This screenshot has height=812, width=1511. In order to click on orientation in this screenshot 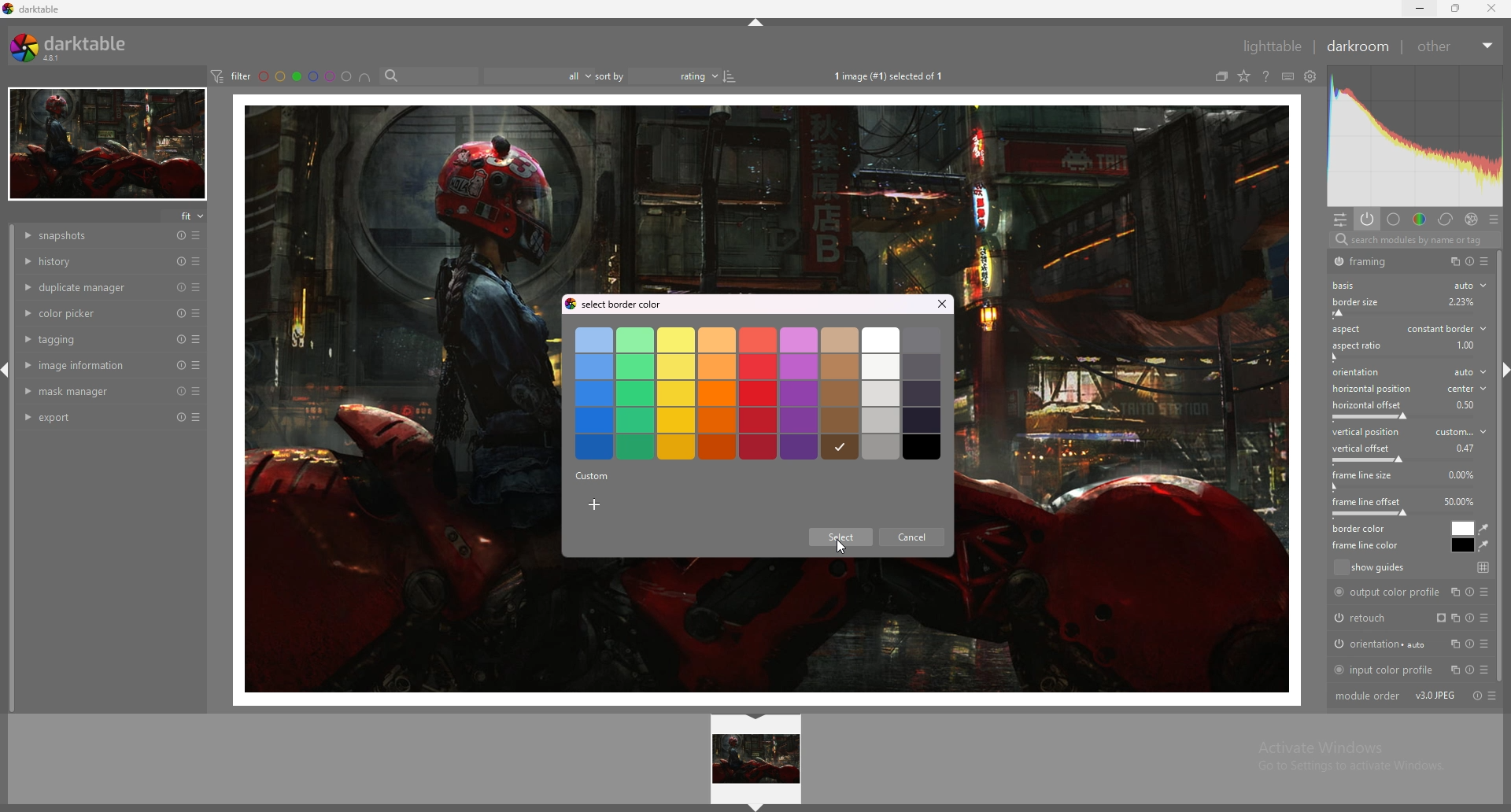, I will do `click(1411, 644)`.